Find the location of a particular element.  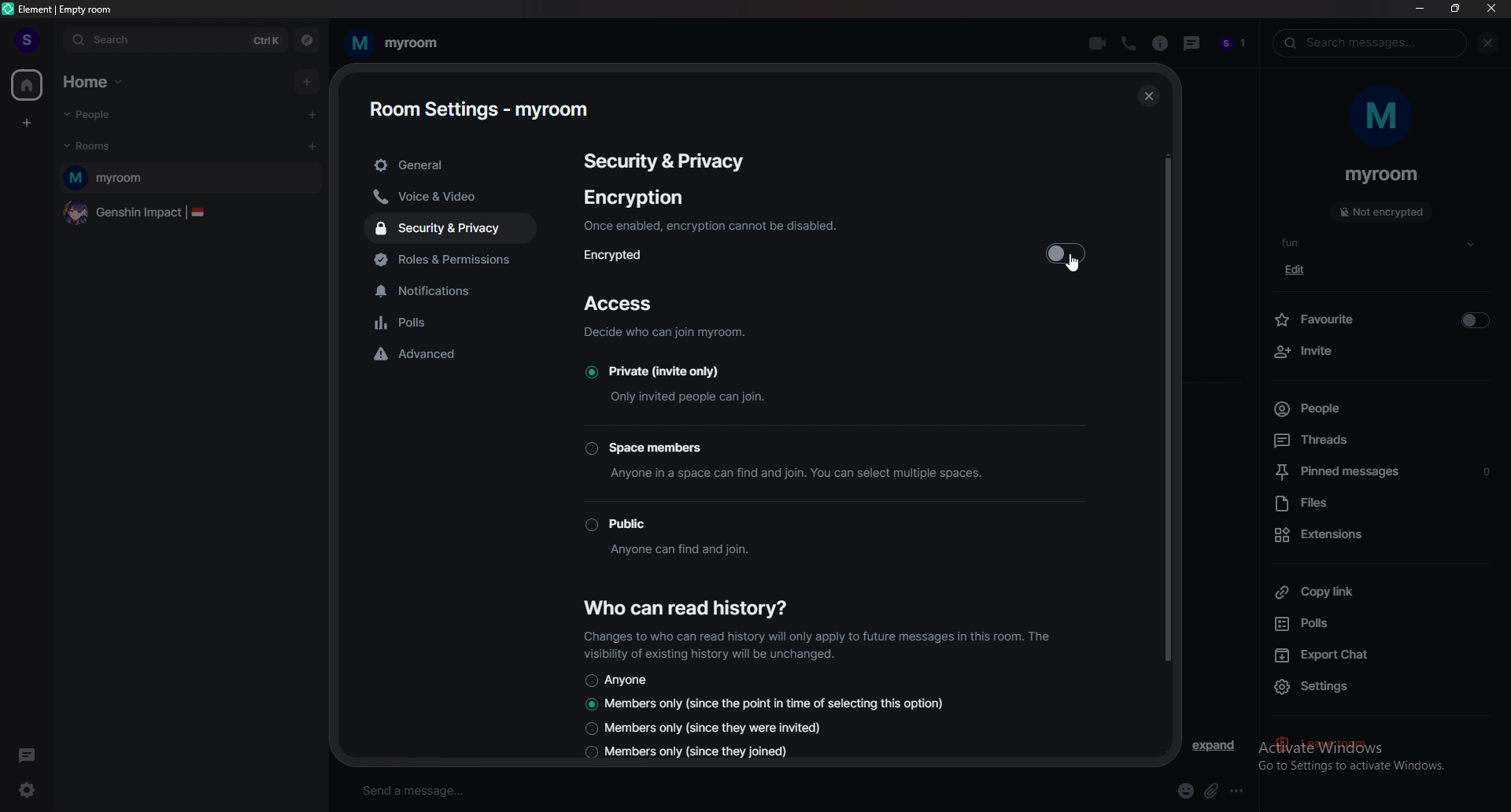

anyone is located at coordinates (617, 680).